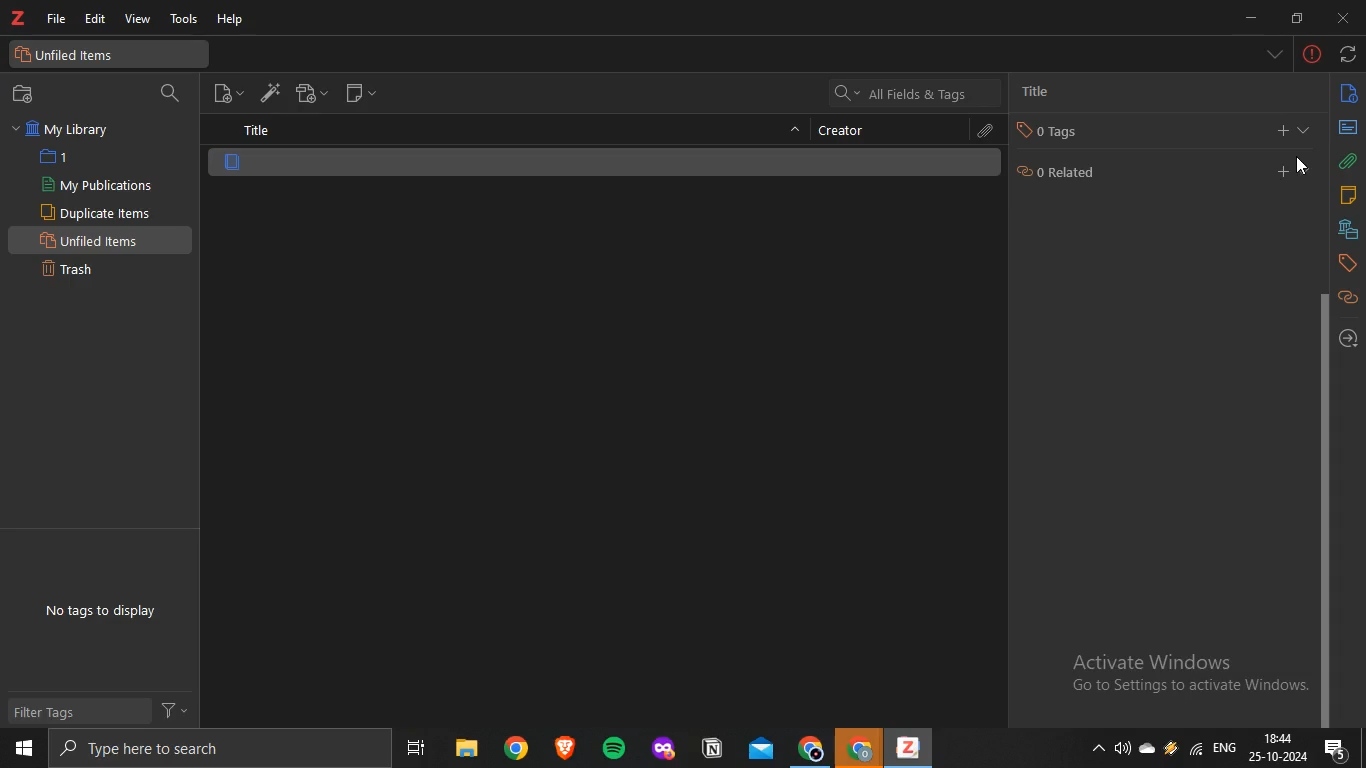 This screenshot has width=1366, height=768. Describe the element at coordinates (1145, 748) in the screenshot. I see `onedrive` at that location.